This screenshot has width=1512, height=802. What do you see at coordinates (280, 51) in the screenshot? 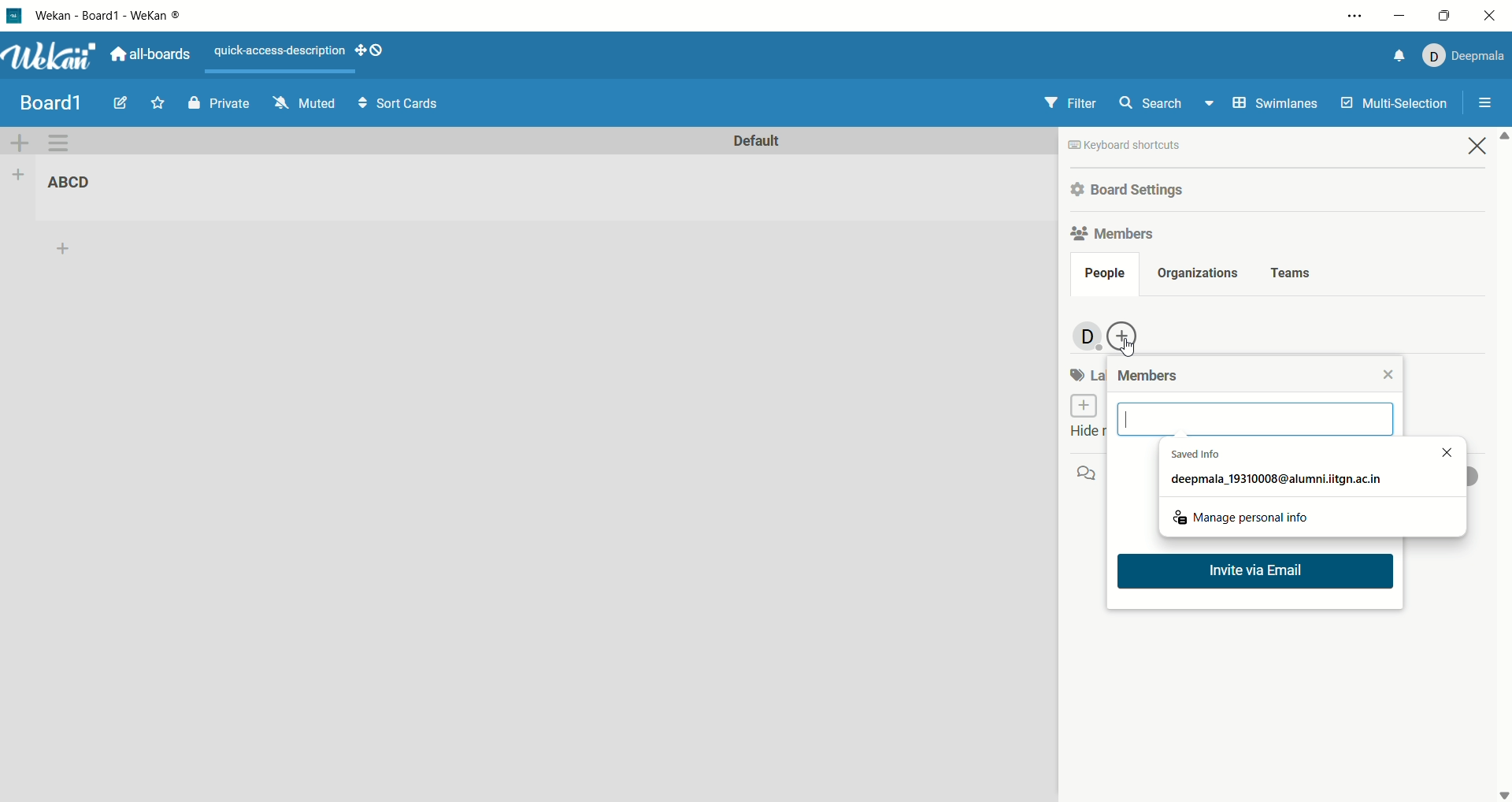
I see `text` at bounding box center [280, 51].